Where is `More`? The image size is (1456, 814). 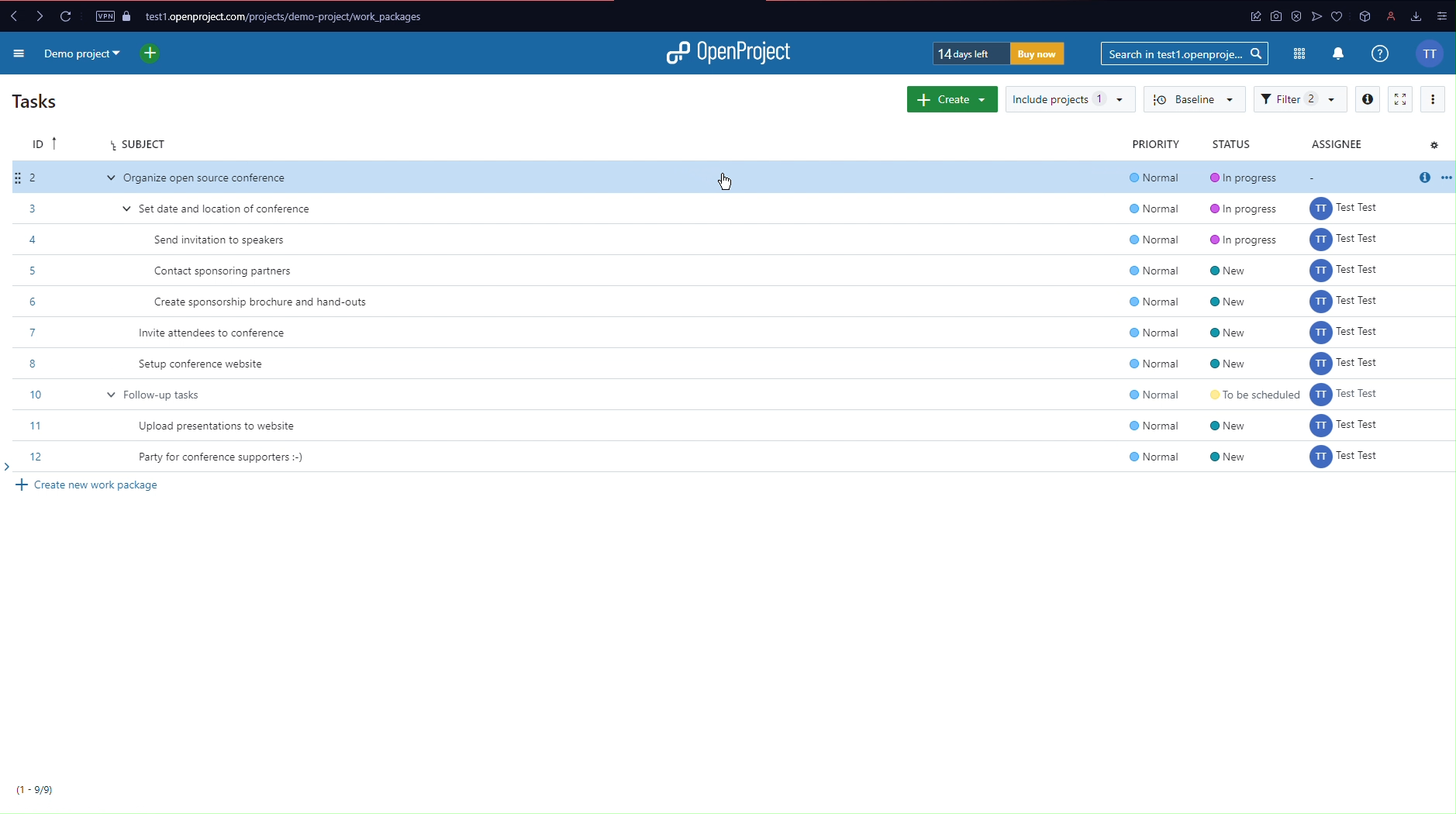
More is located at coordinates (1434, 99).